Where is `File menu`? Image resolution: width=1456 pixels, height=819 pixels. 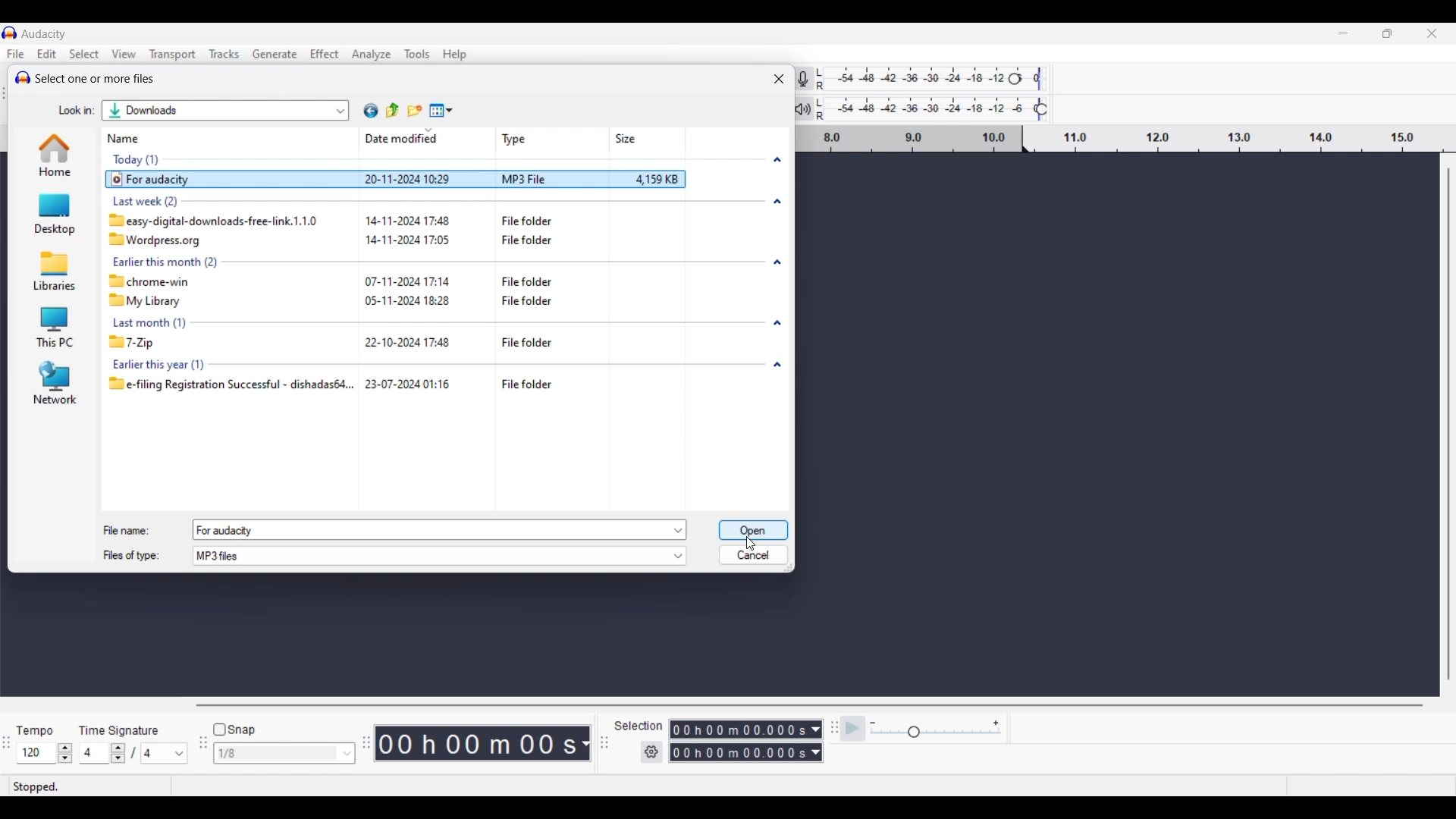 File menu is located at coordinates (16, 54).